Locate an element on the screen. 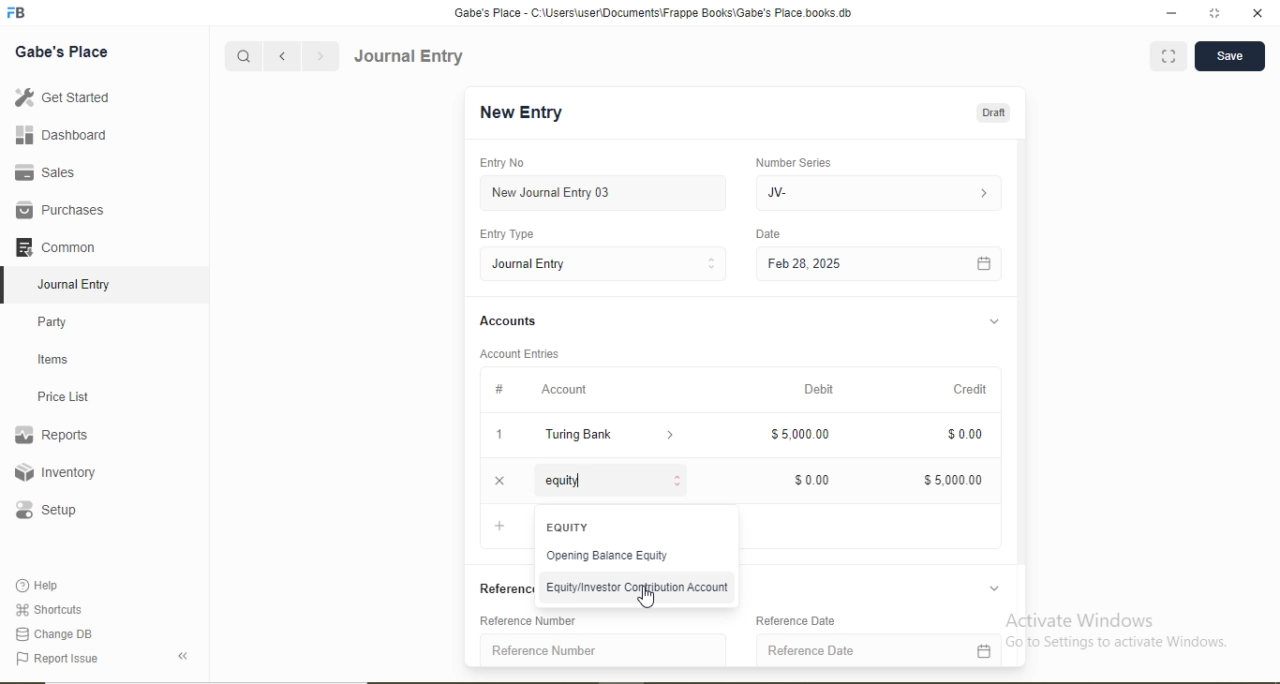  Close is located at coordinates (500, 481).